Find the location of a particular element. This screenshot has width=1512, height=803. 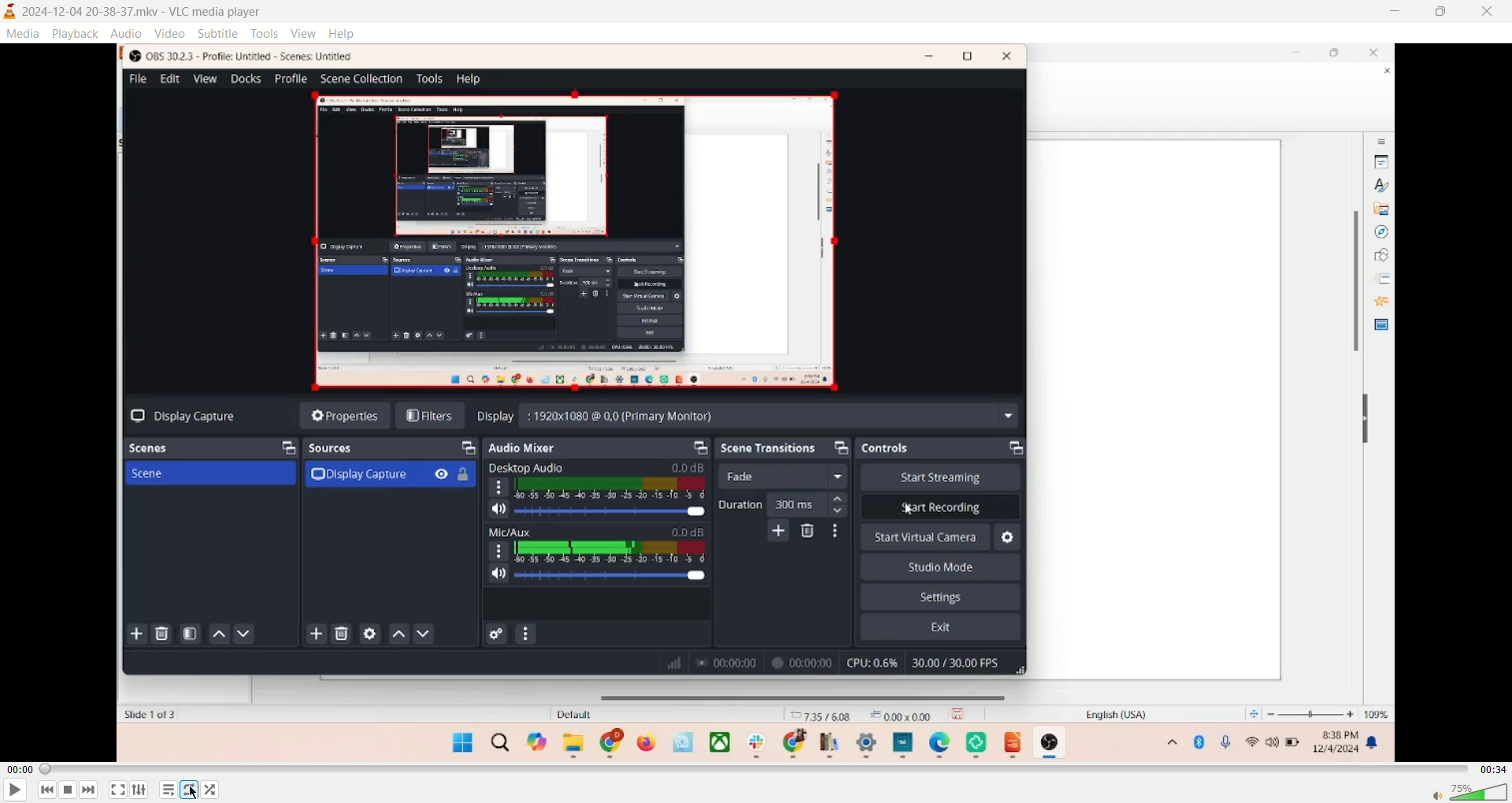

tools is located at coordinates (265, 33).